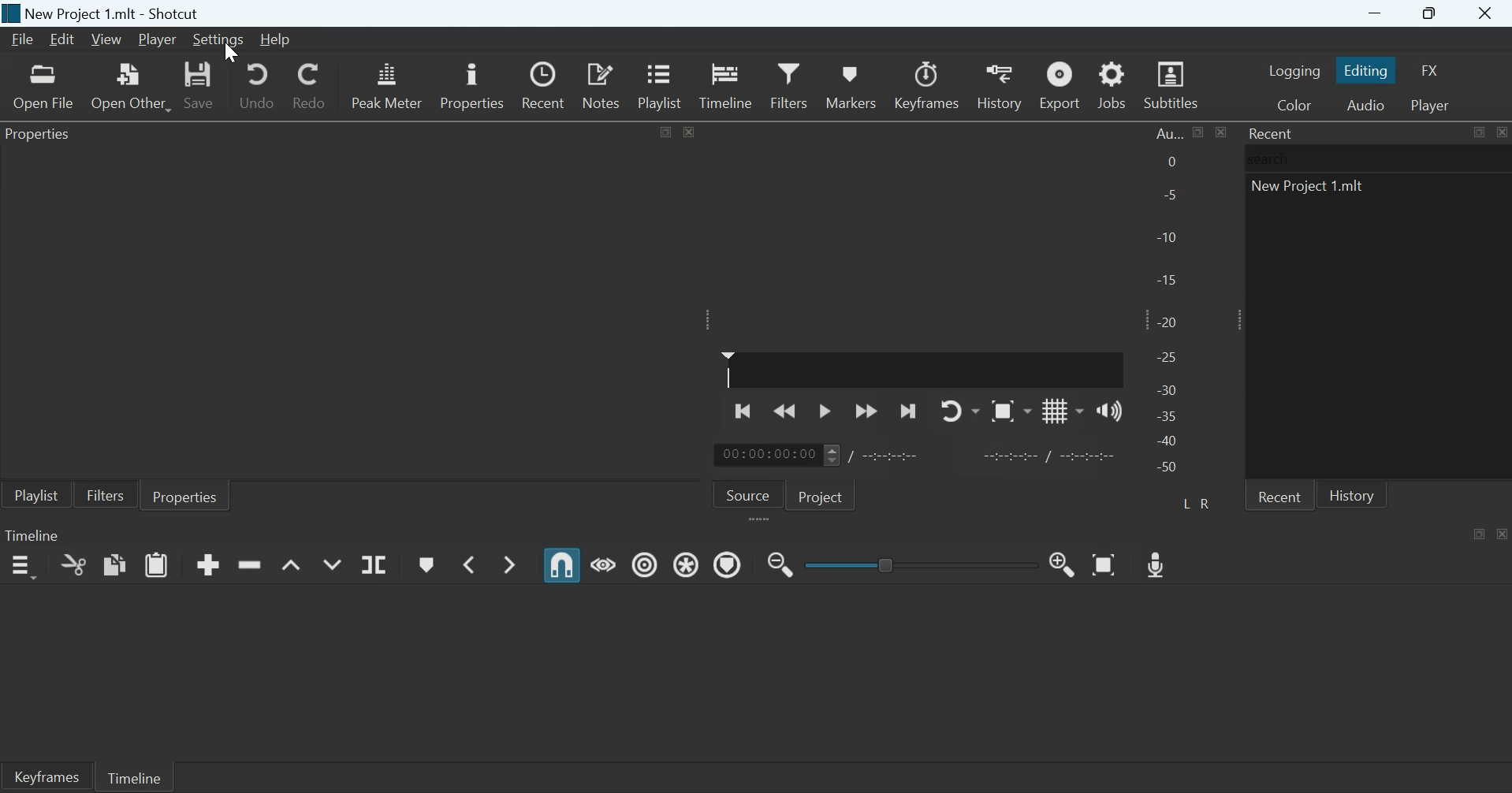 This screenshot has width=1512, height=793. What do you see at coordinates (603, 84) in the screenshot?
I see `Notes` at bounding box center [603, 84].